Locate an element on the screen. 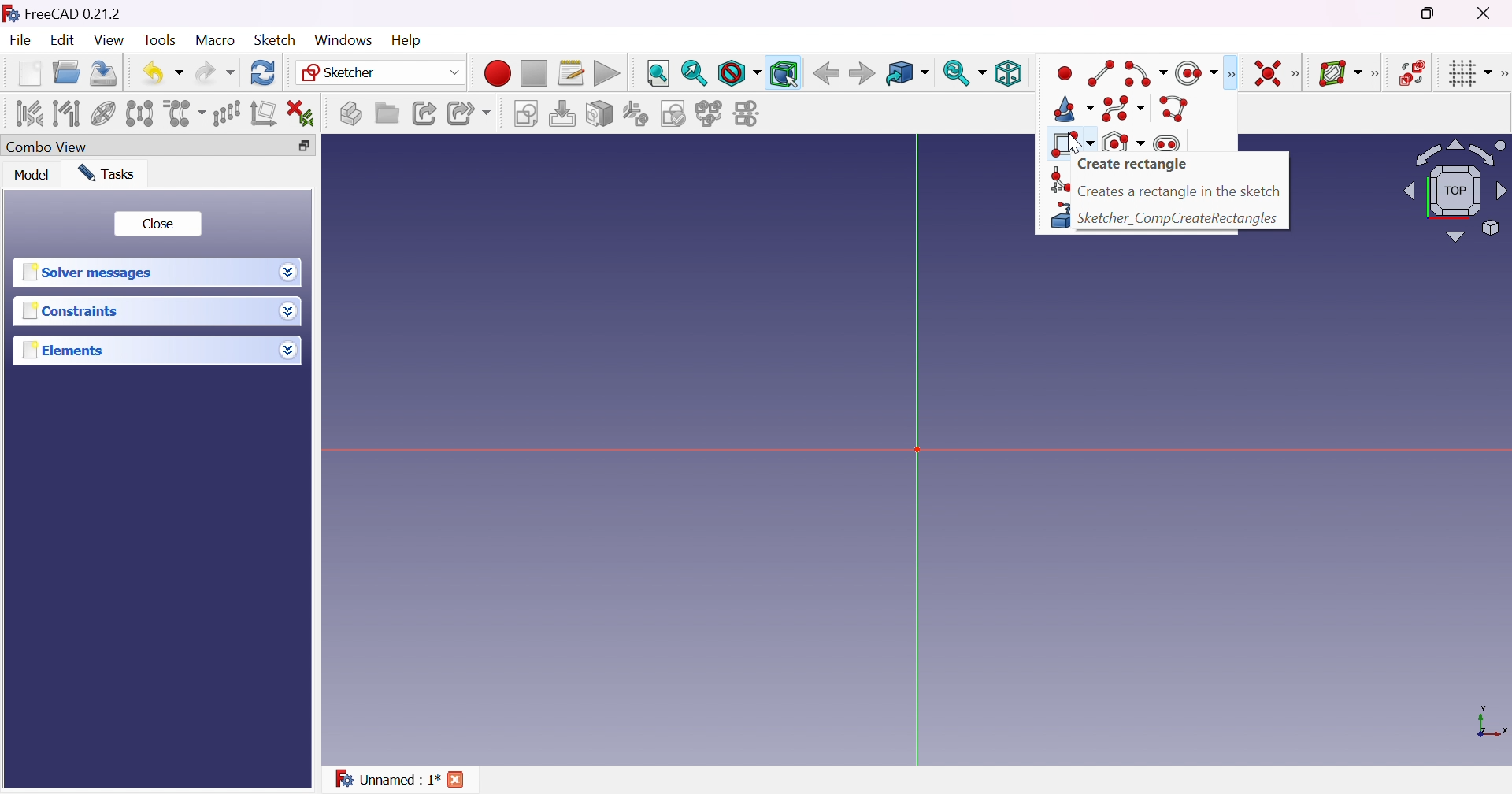 Image resolution: width=1512 pixels, height=794 pixels. Create external geometry is located at coordinates (1058, 217).